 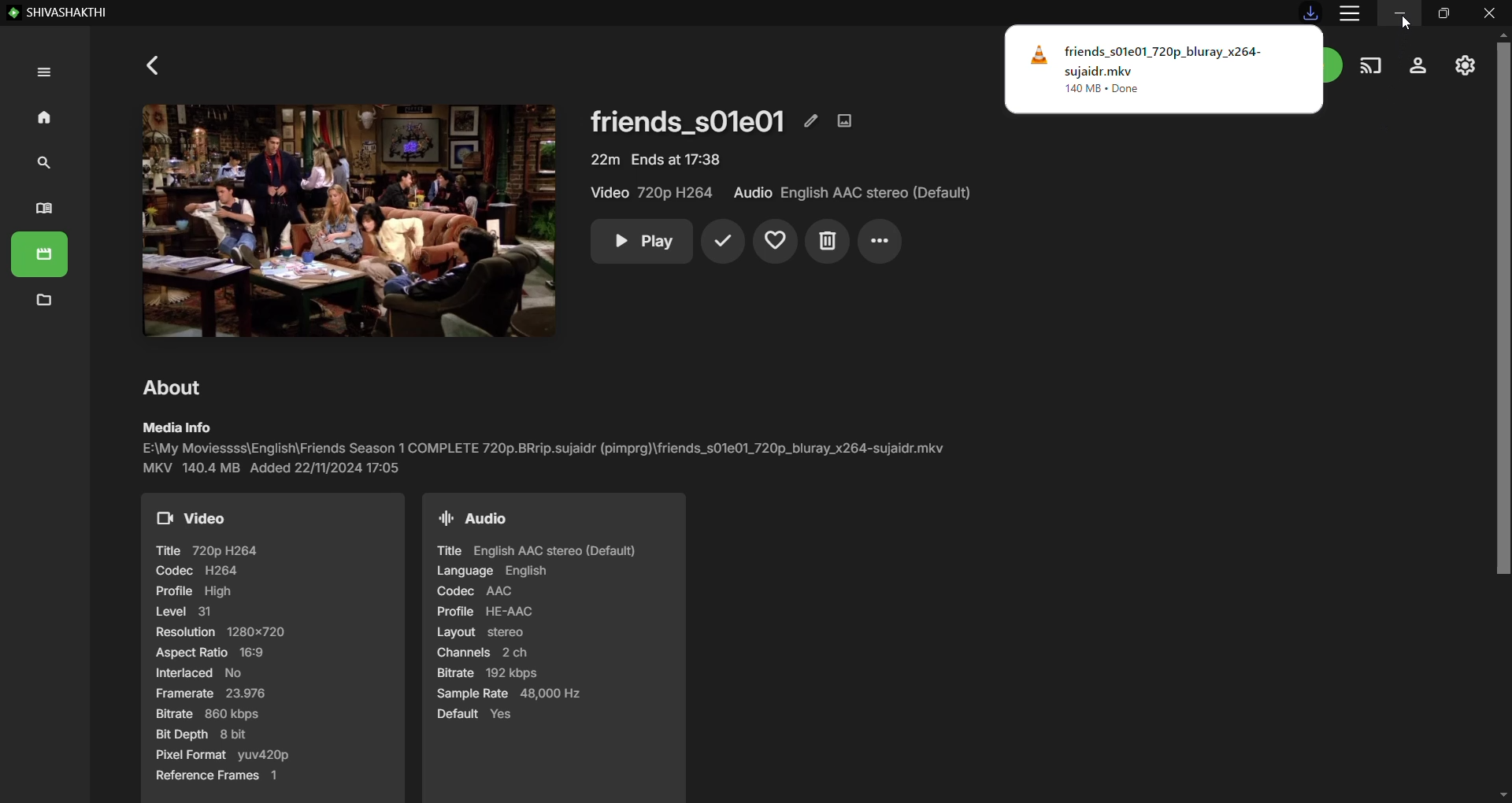 What do you see at coordinates (1490, 13) in the screenshot?
I see `Close` at bounding box center [1490, 13].